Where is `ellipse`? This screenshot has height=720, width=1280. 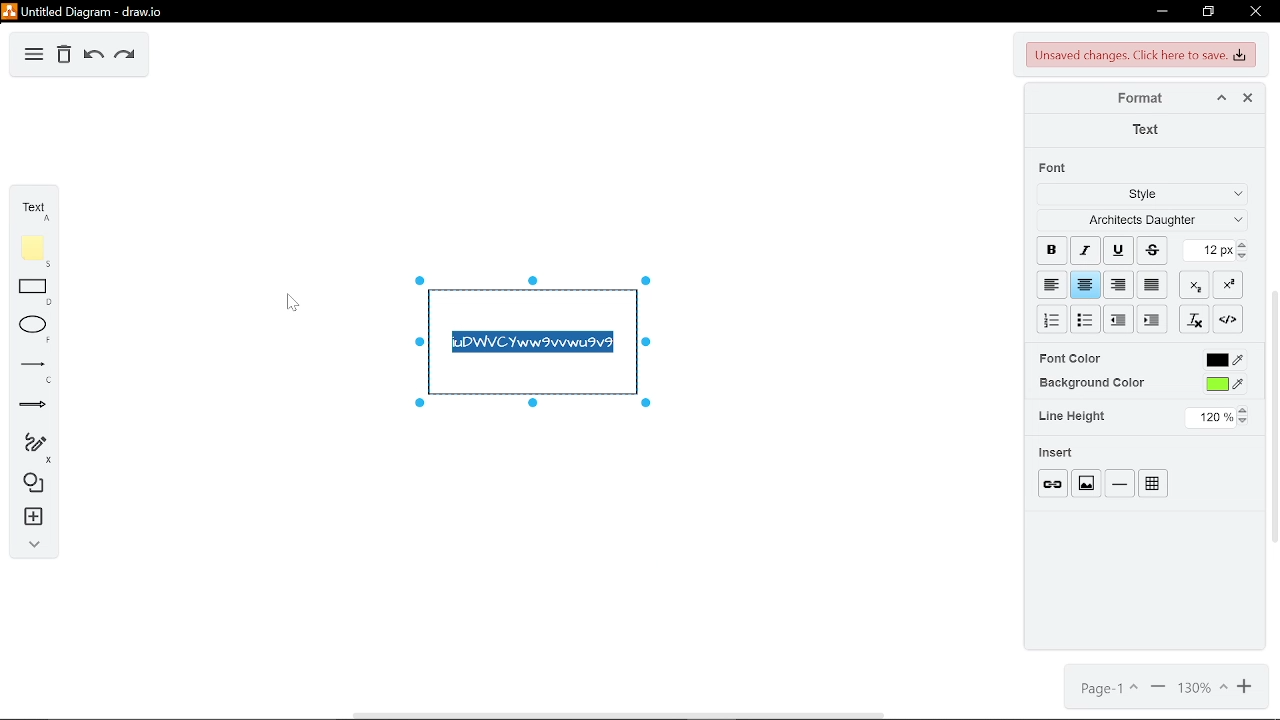
ellipse is located at coordinates (29, 327).